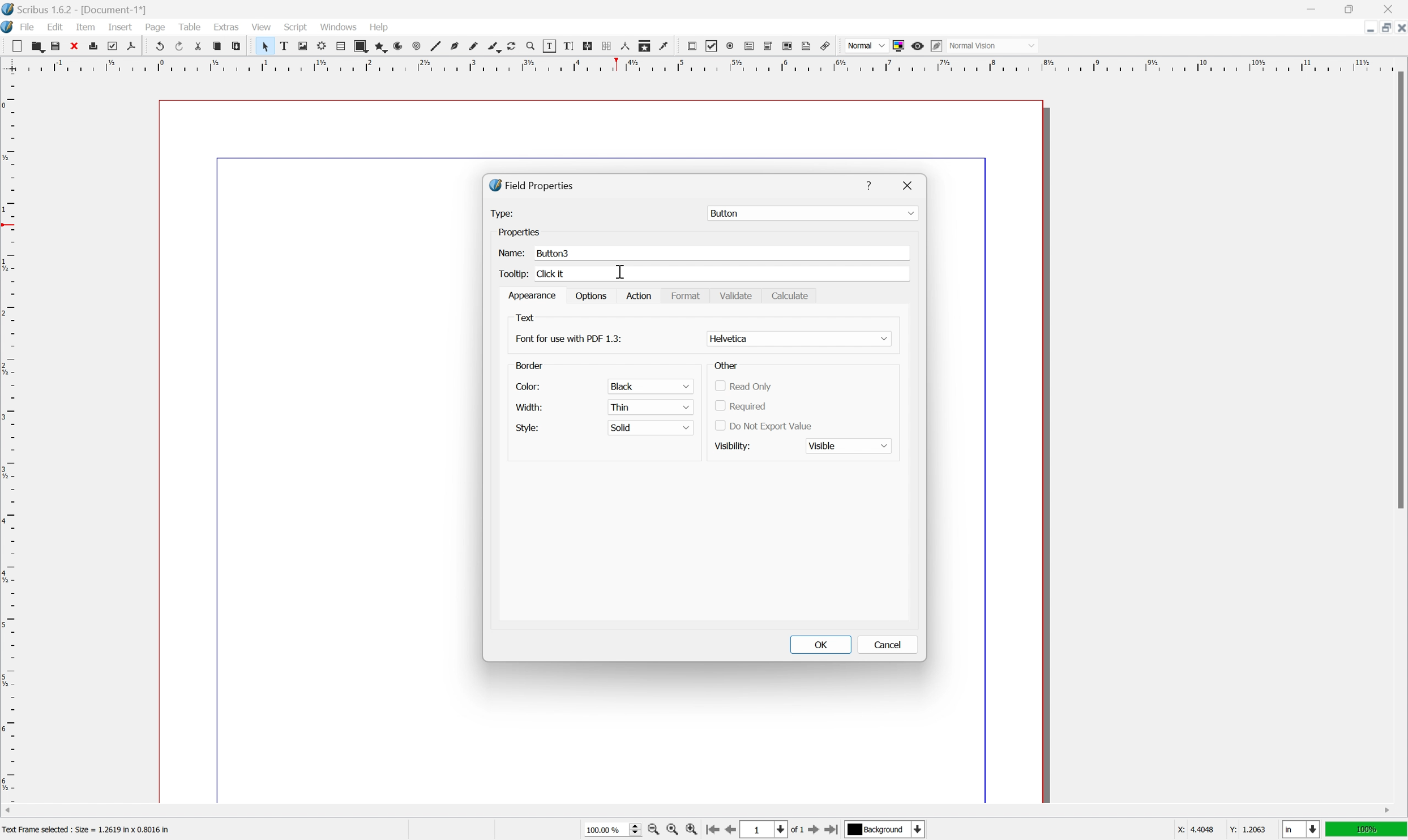  I want to click on file, so click(31, 27).